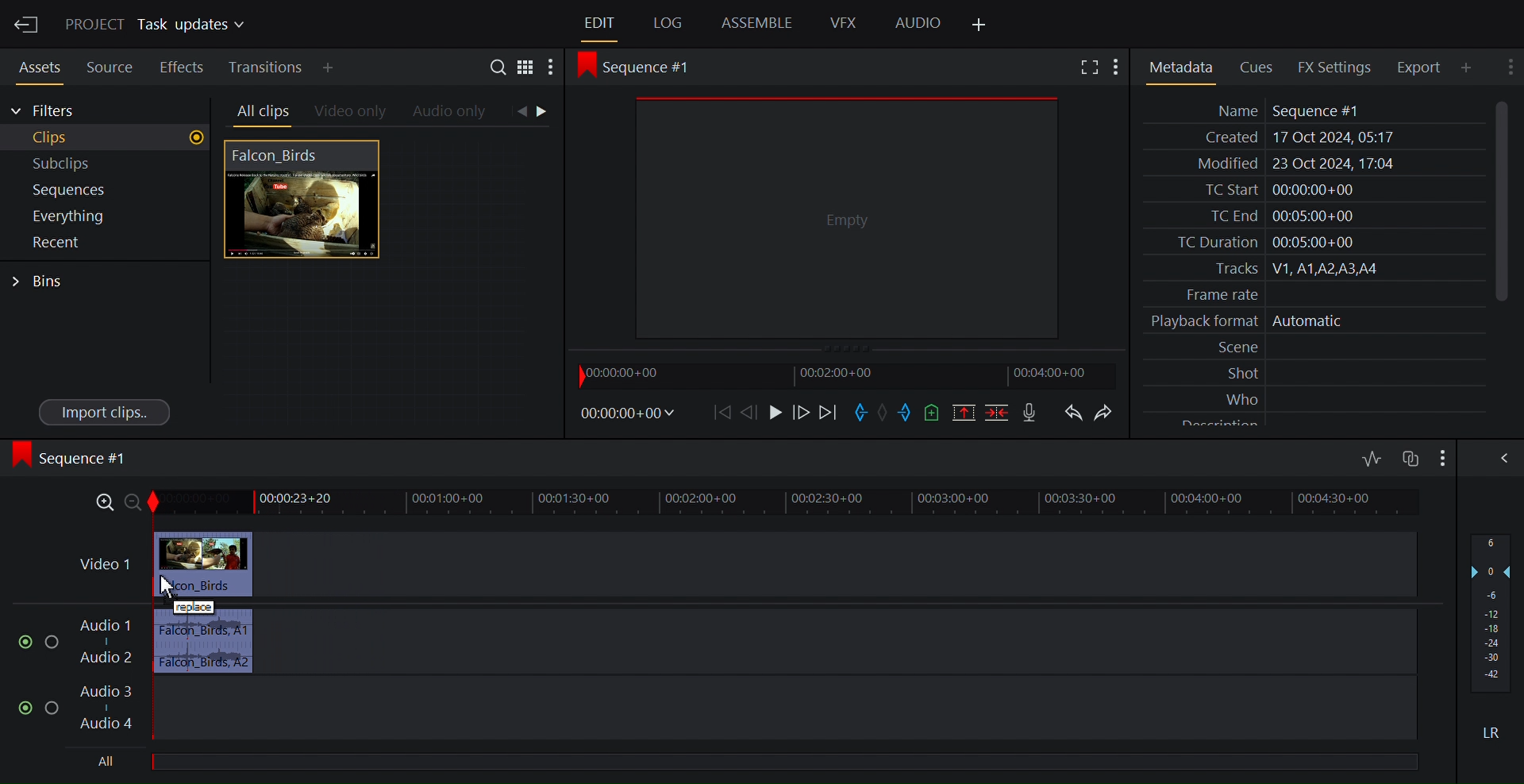 This screenshot has width=1524, height=784. I want to click on VFX, so click(845, 22).